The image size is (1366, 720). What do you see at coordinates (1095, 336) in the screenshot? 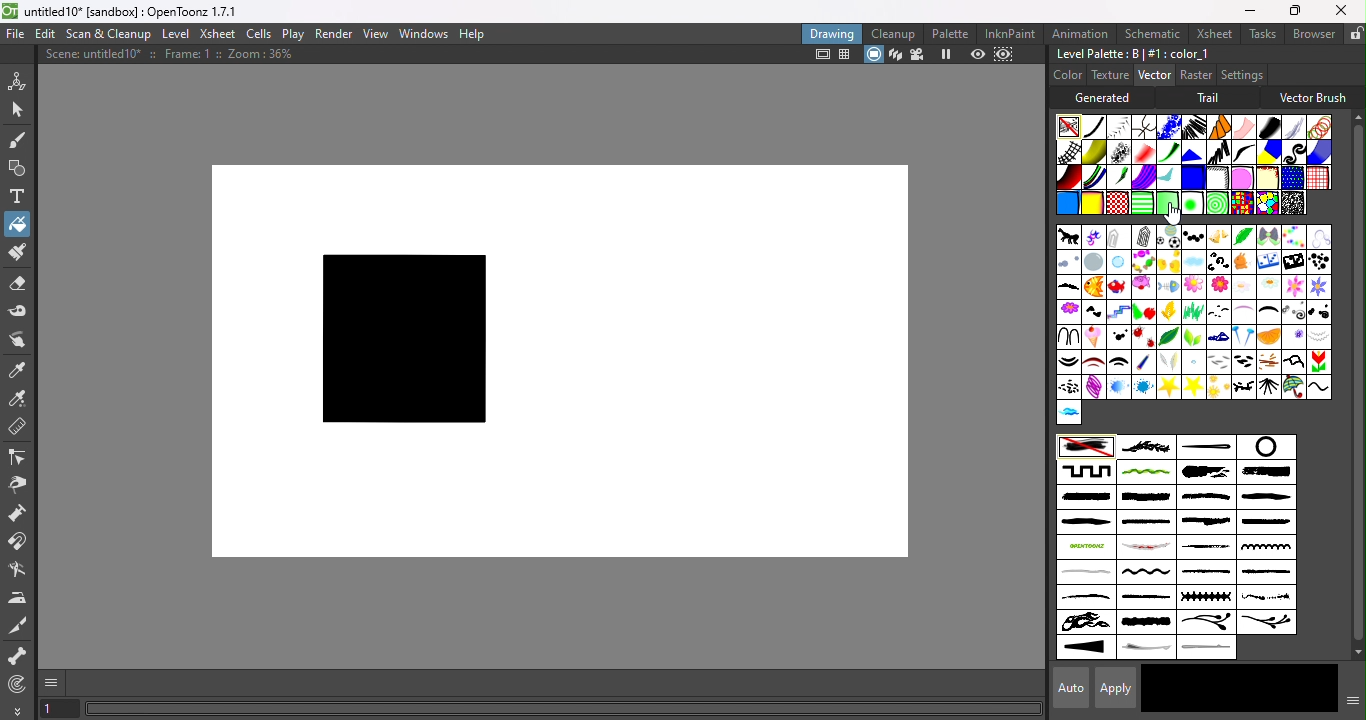
I see `icecream` at bounding box center [1095, 336].